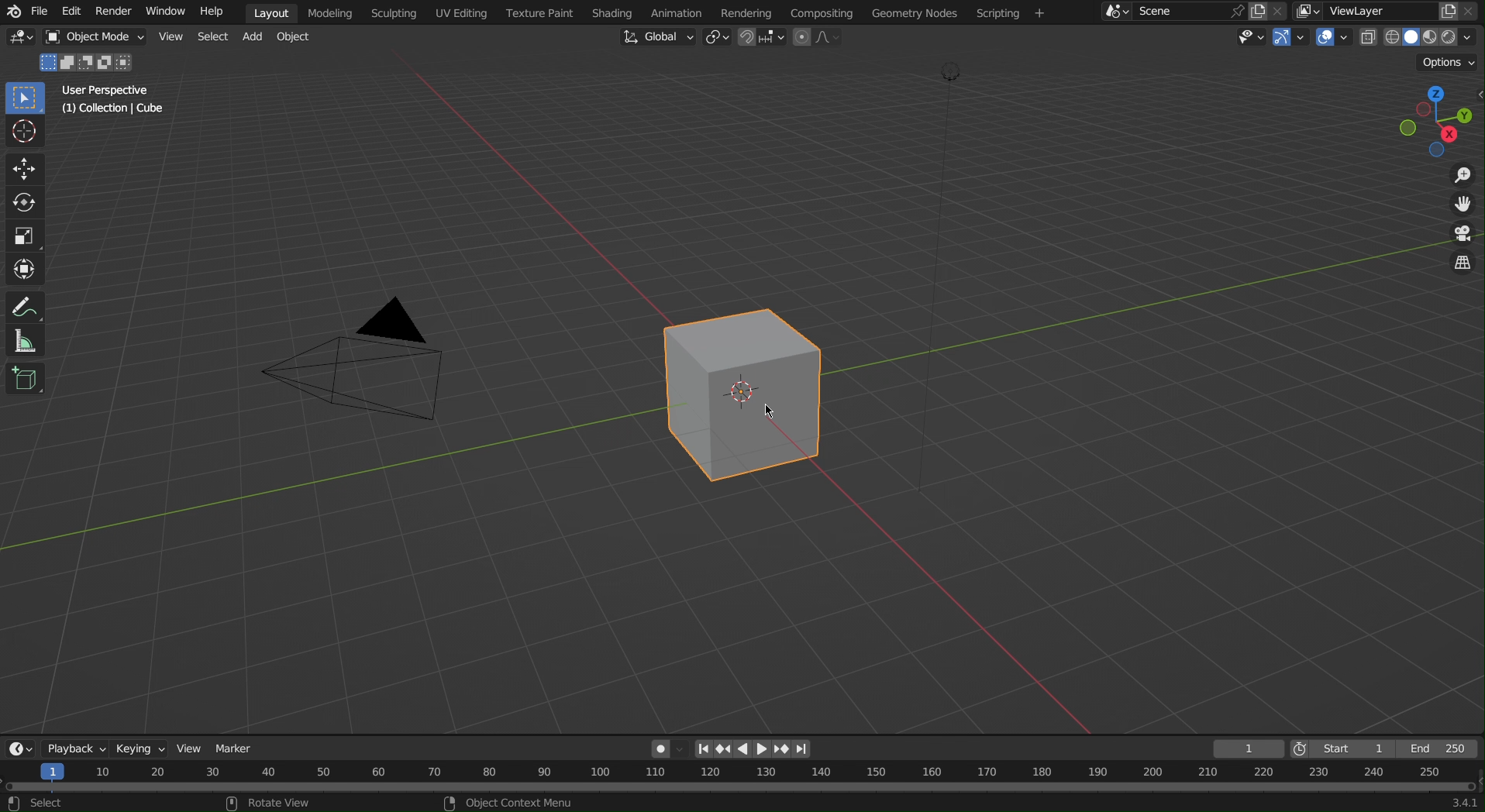  What do you see at coordinates (273, 803) in the screenshot?
I see `rotate view` at bounding box center [273, 803].